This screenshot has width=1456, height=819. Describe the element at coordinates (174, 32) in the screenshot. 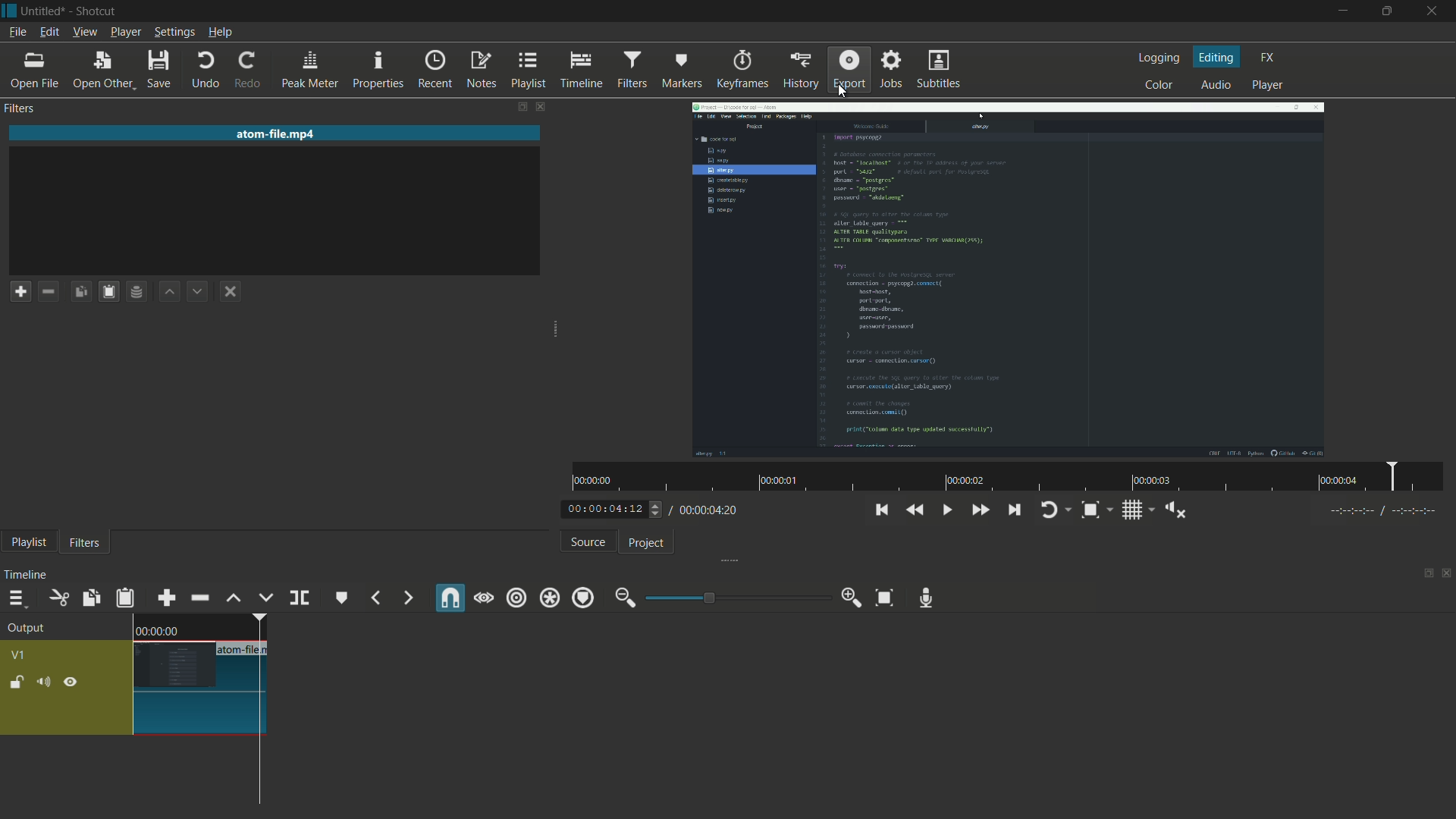

I see `settings menu` at that location.